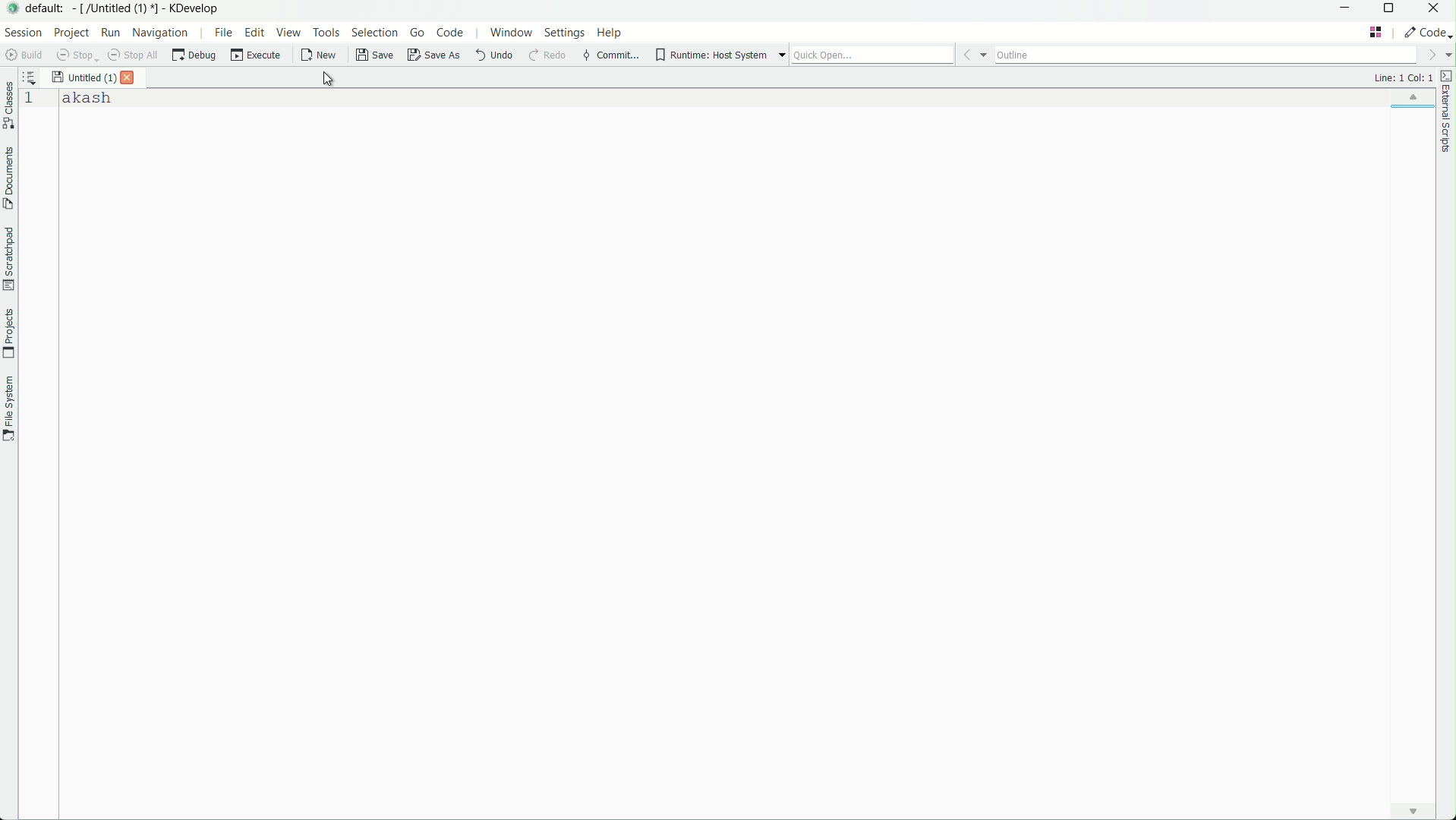  I want to click on edit, so click(256, 33).